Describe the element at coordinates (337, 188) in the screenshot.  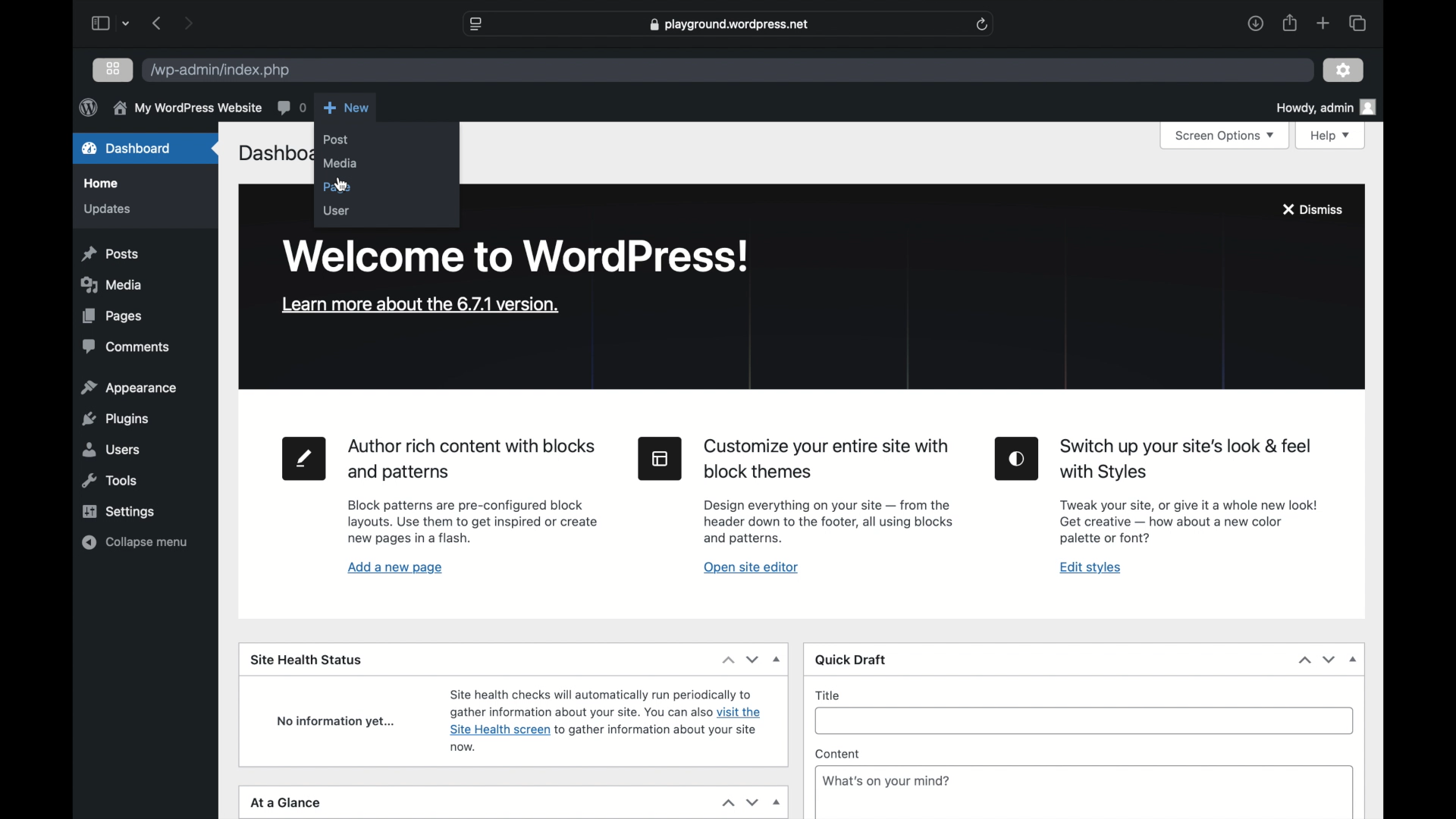
I see `page` at that location.